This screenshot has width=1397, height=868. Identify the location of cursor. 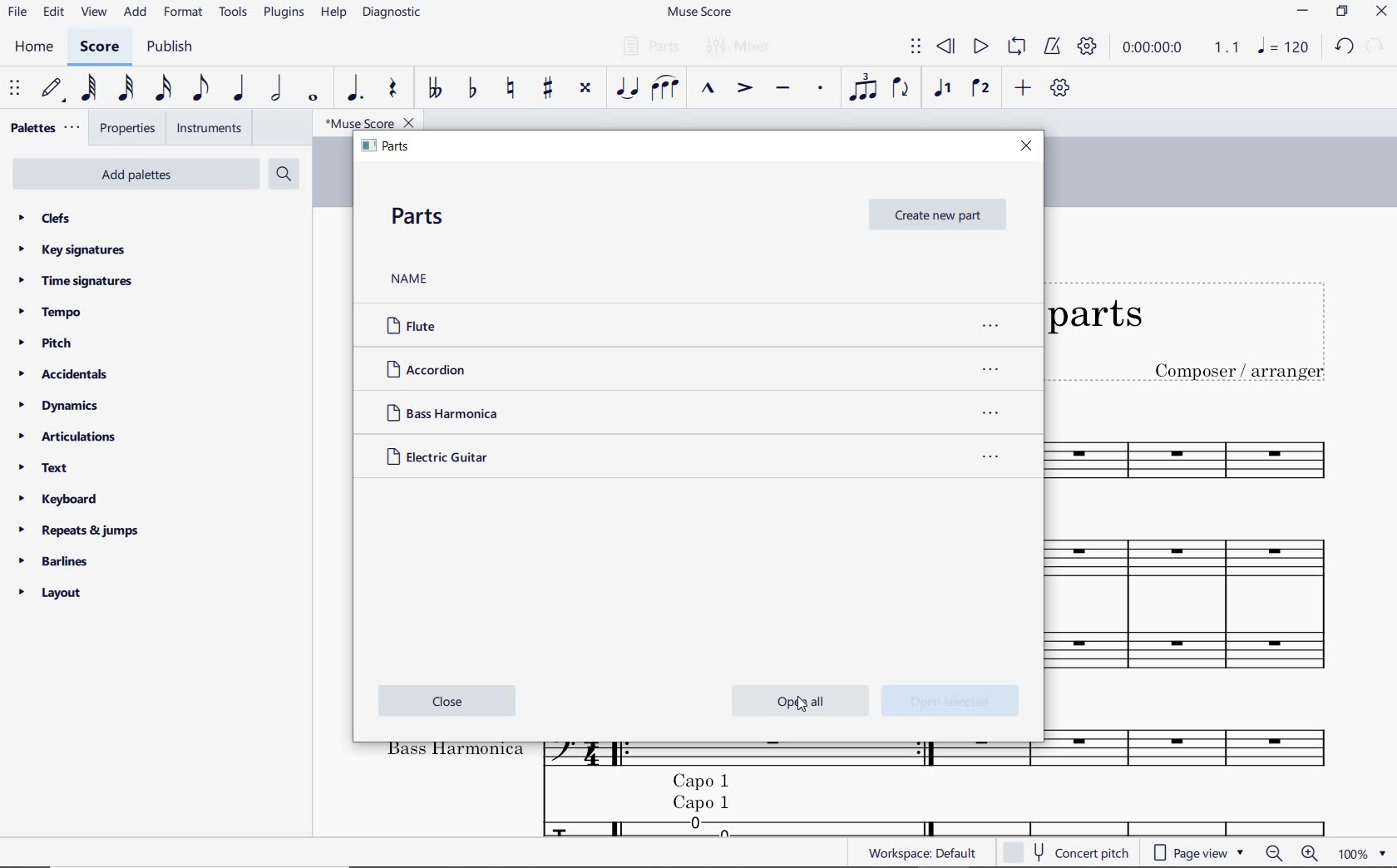
(799, 703).